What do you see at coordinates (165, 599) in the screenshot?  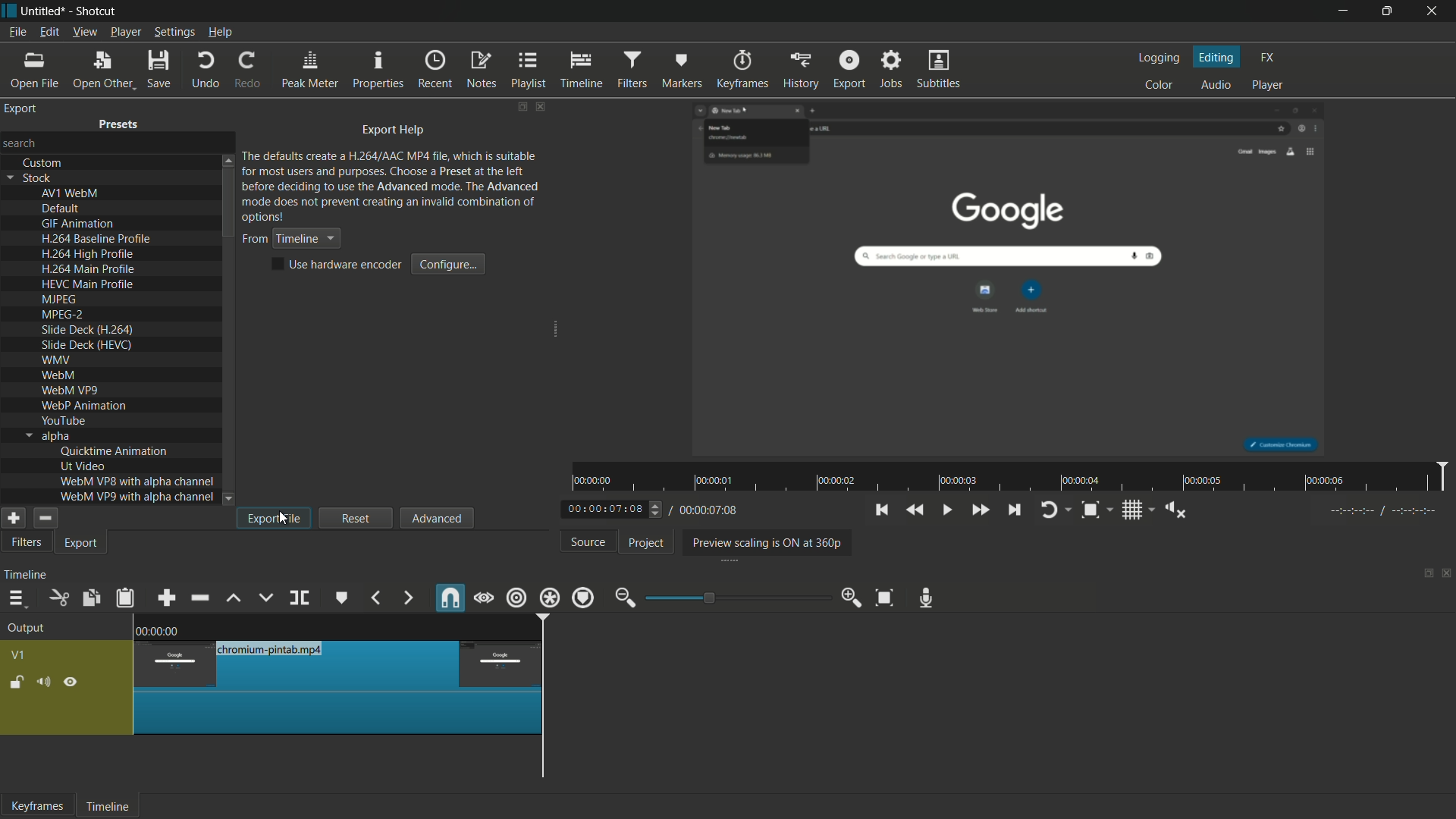 I see `append` at bounding box center [165, 599].